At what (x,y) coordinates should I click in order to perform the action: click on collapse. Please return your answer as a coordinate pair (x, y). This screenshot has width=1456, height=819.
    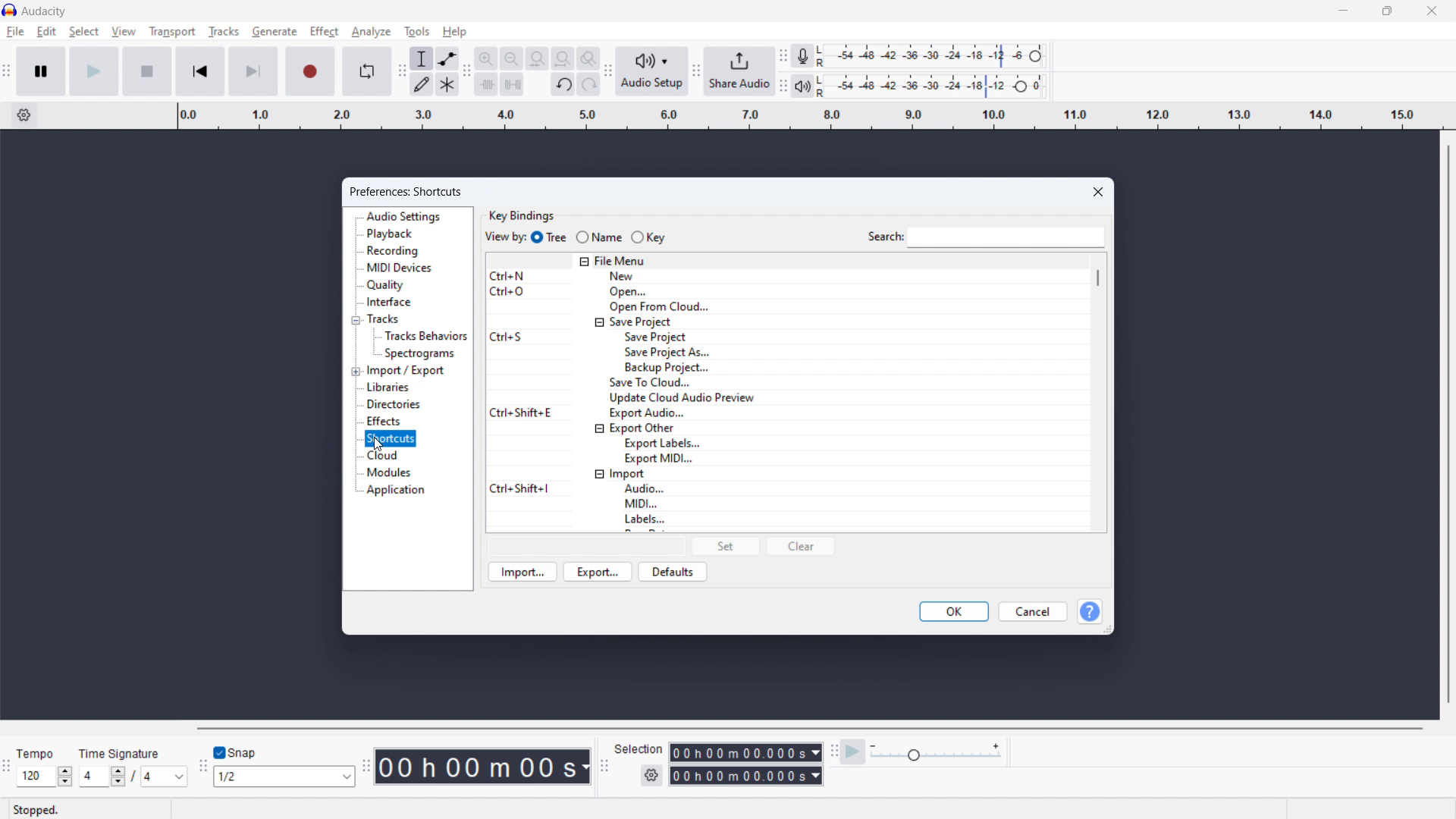
    Looking at the image, I should click on (584, 261).